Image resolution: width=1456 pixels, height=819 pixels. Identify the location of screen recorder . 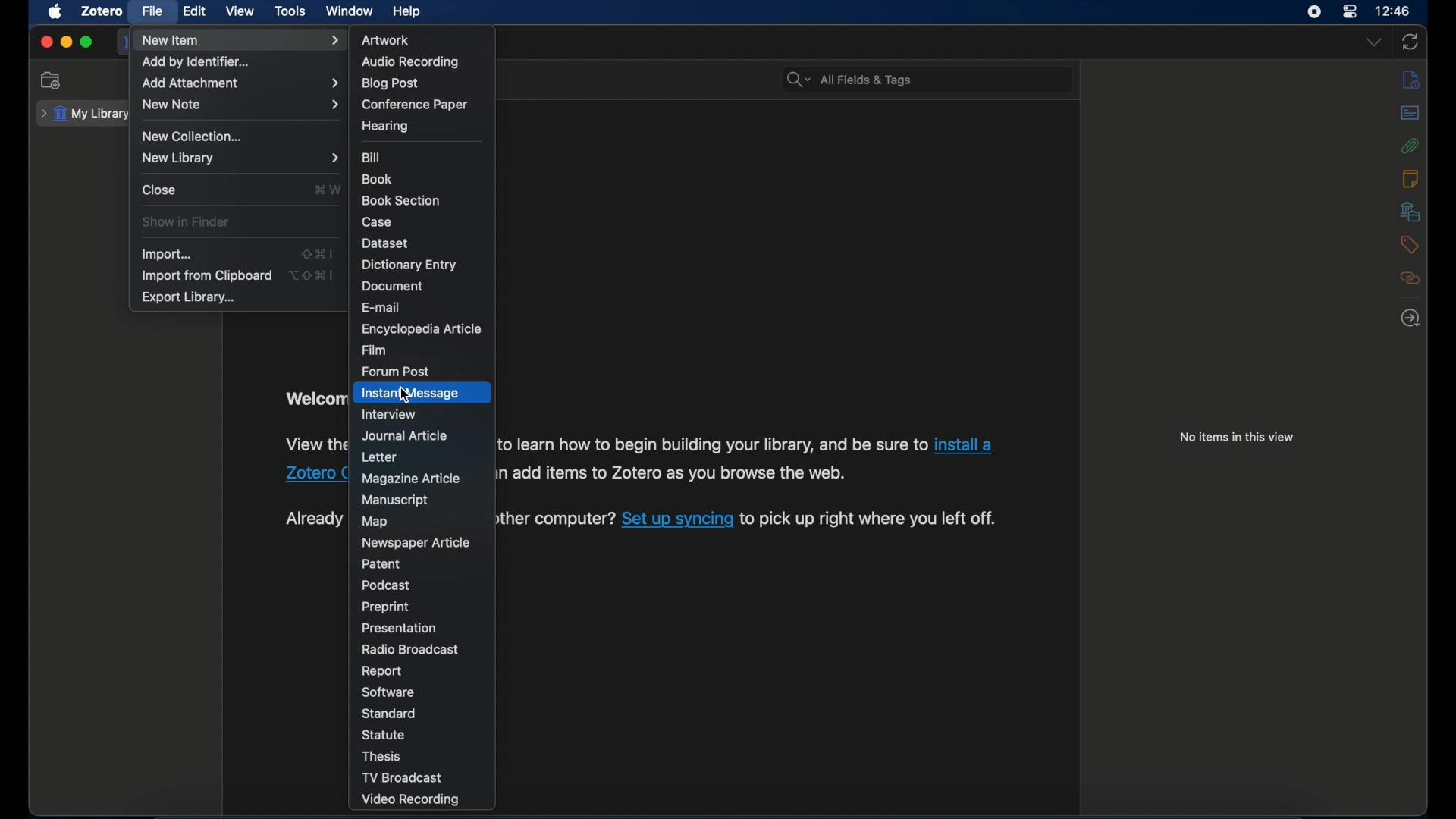
(1313, 12).